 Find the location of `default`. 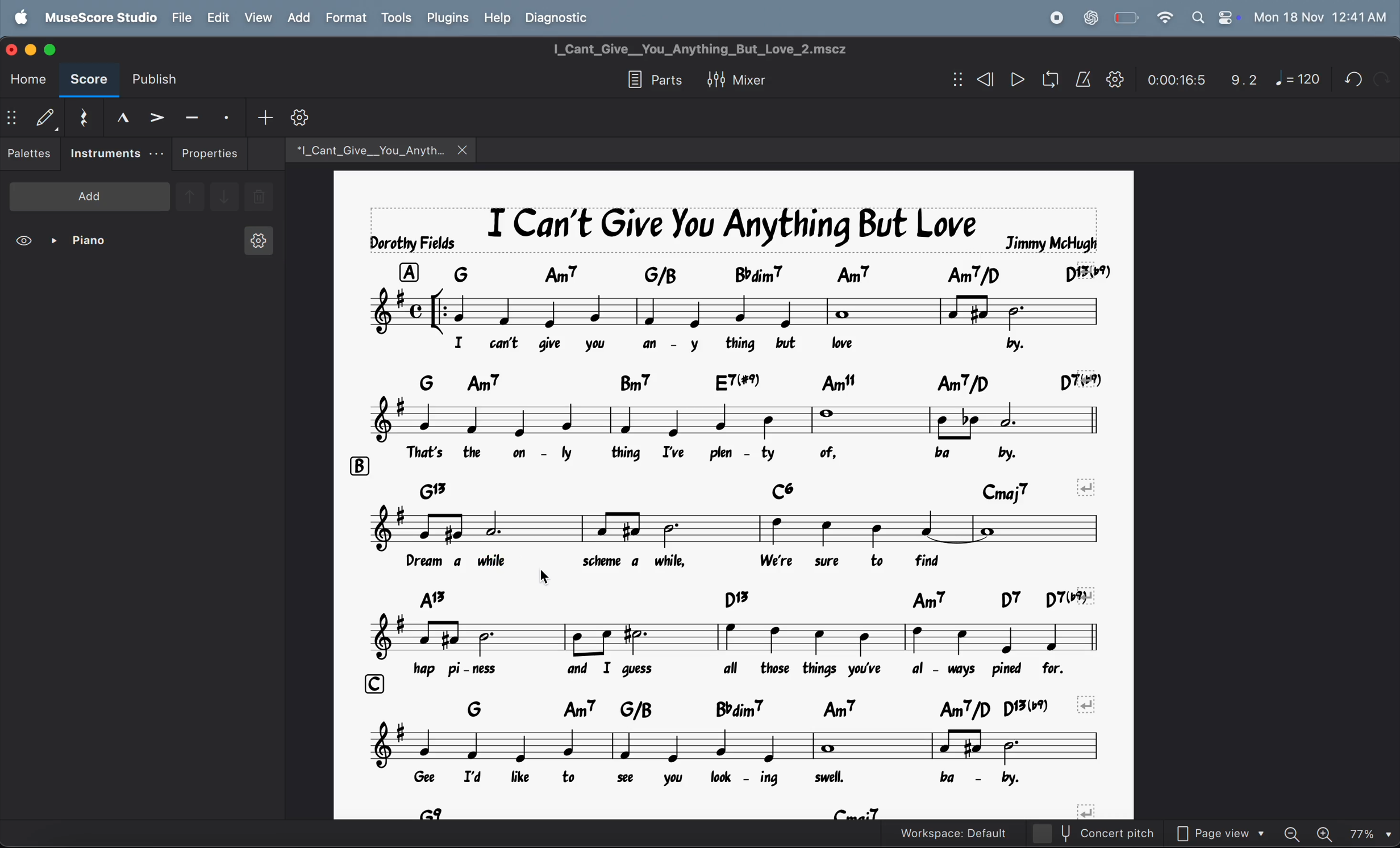

default is located at coordinates (48, 117).